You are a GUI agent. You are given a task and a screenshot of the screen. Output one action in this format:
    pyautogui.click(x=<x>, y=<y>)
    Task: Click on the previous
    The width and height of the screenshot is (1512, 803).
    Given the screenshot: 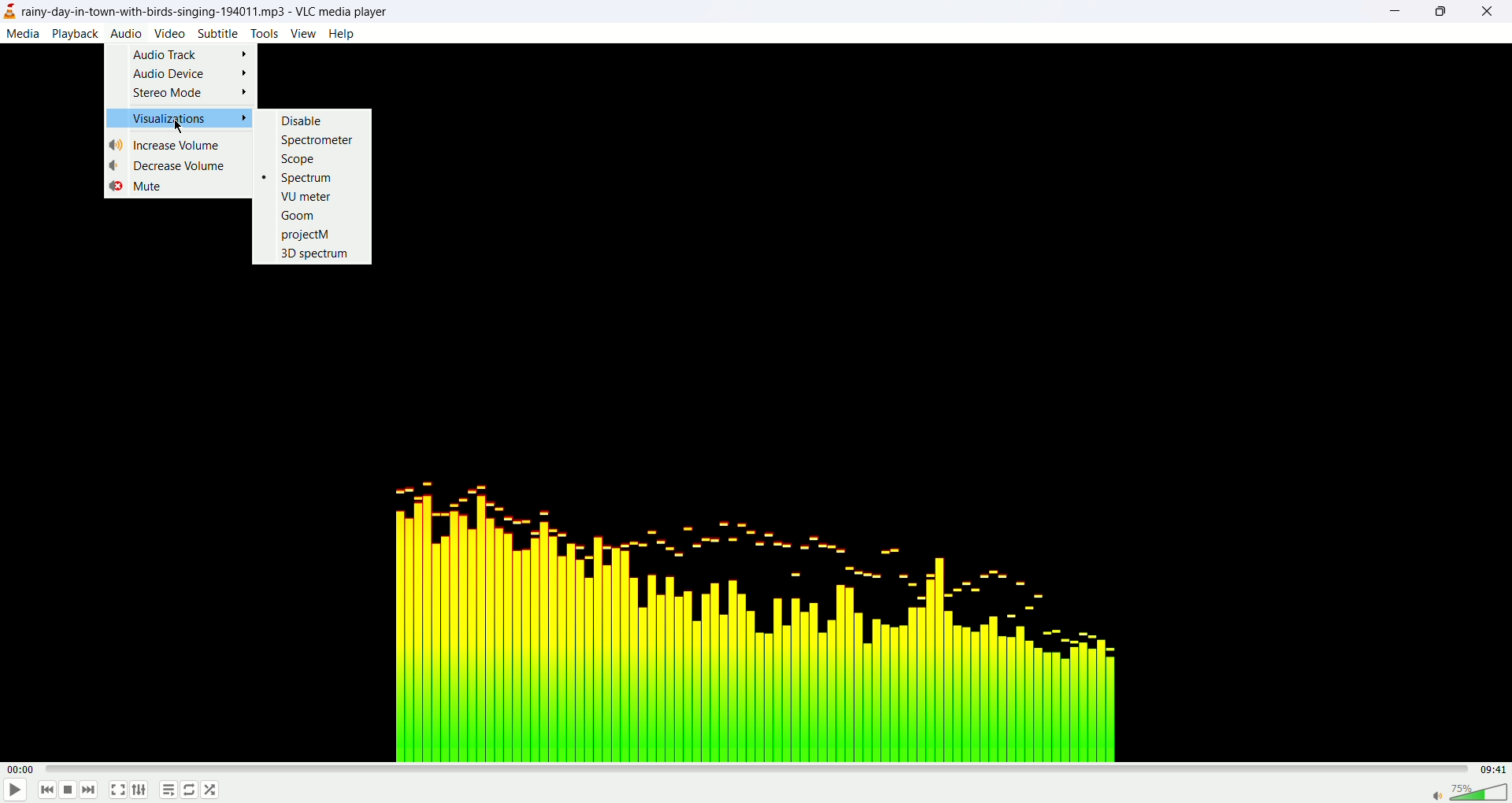 What is the action you would take?
    pyautogui.click(x=46, y=792)
    